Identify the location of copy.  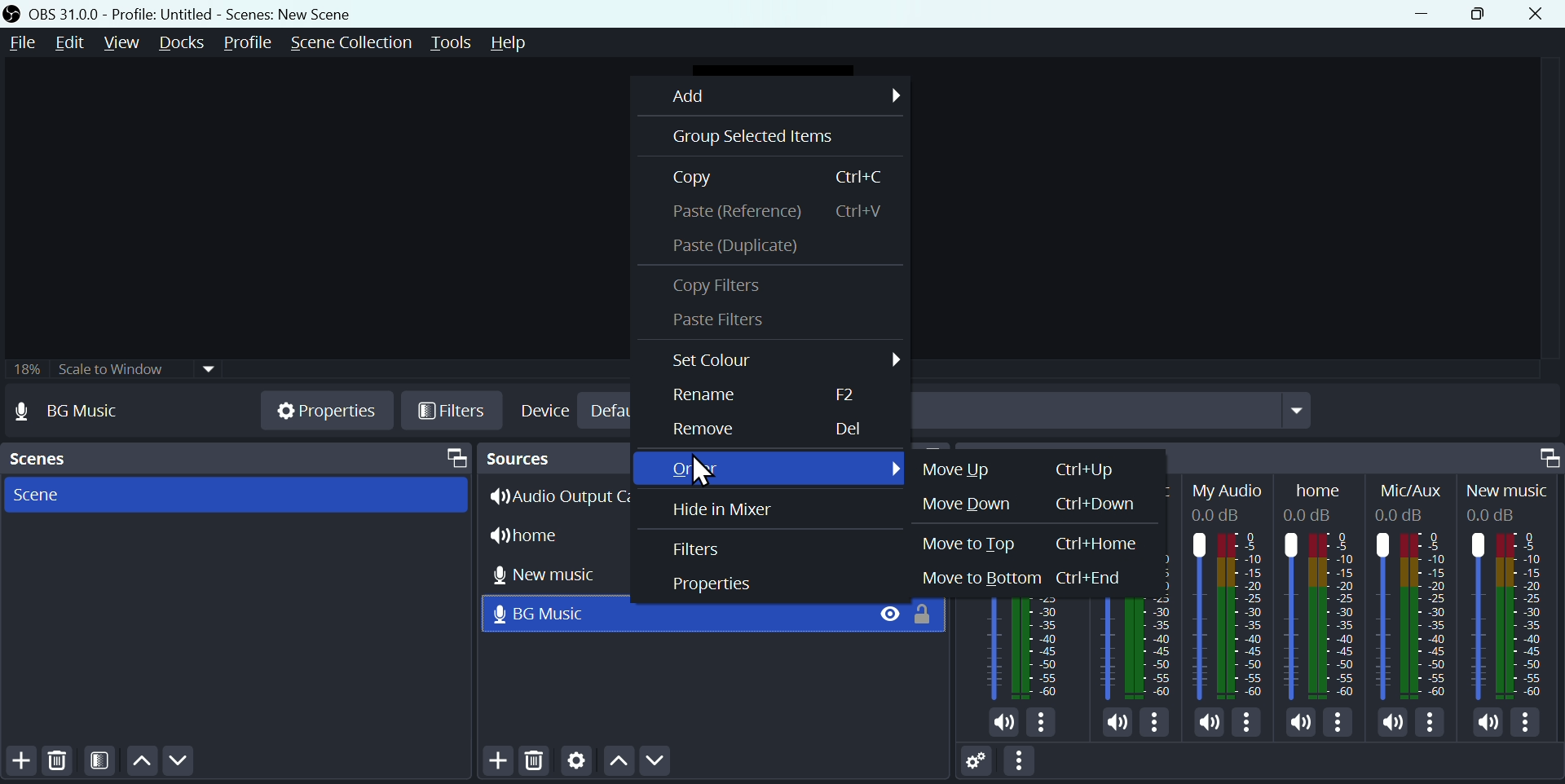
(791, 176).